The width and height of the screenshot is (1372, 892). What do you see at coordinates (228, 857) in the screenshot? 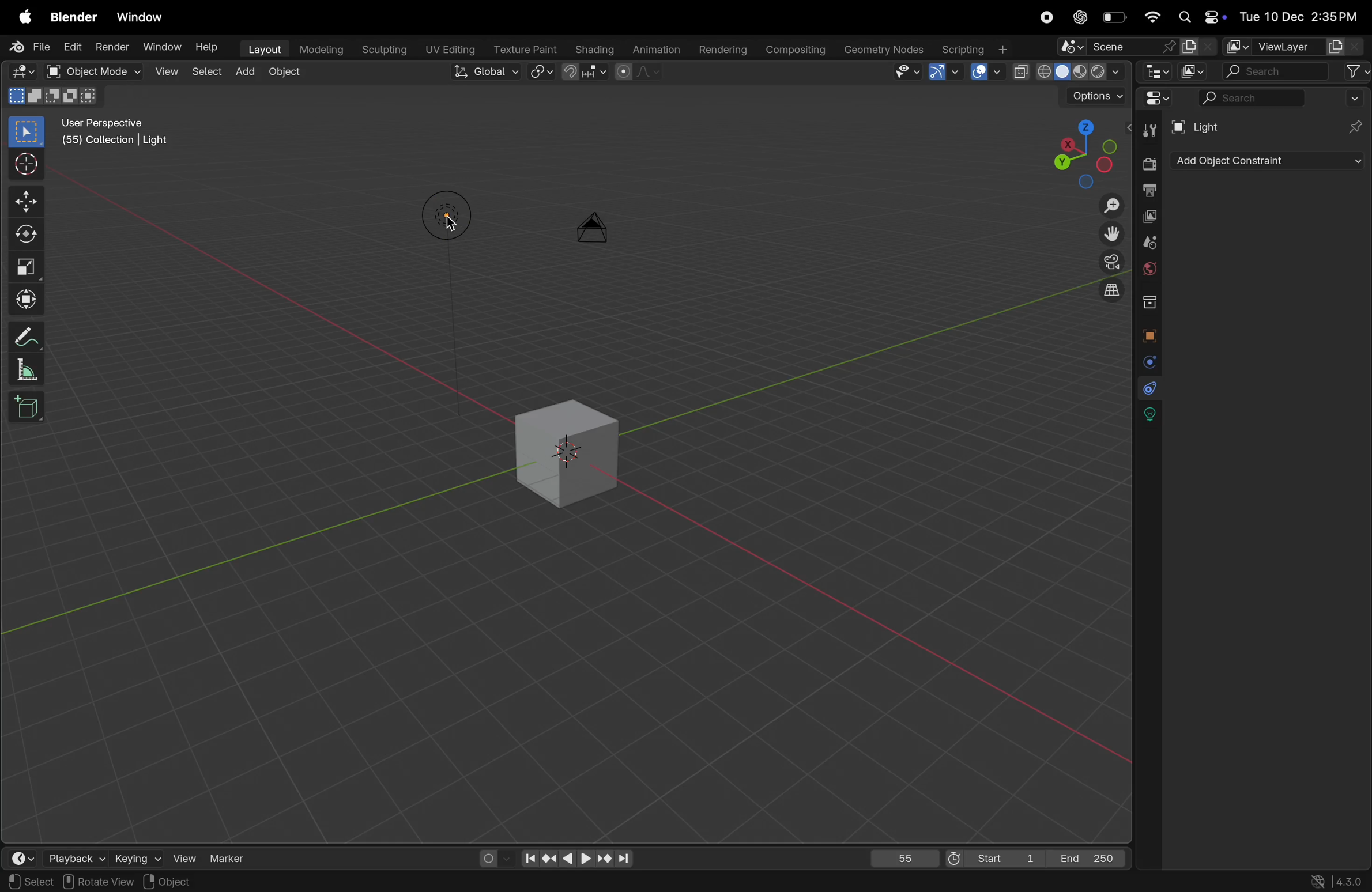
I see `marker` at bounding box center [228, 857].